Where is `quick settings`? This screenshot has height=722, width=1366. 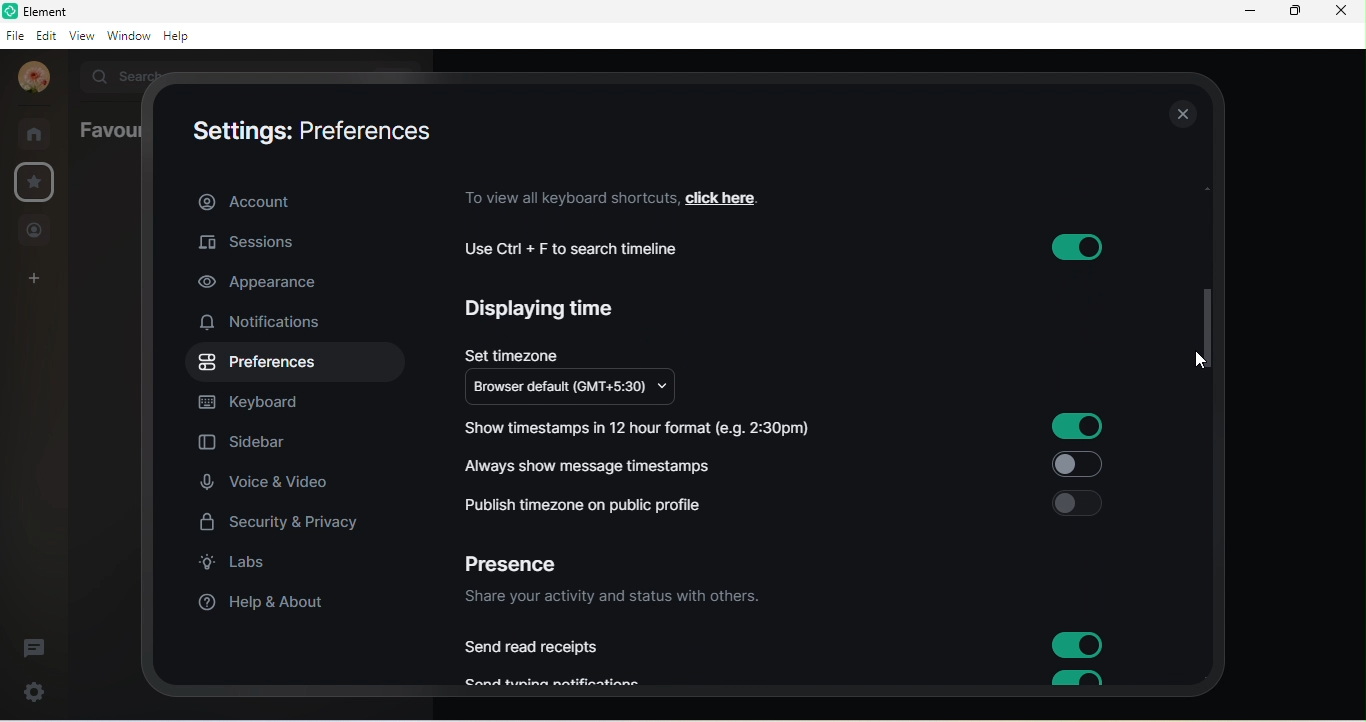 quick settings is located at coordinates (27, 692).